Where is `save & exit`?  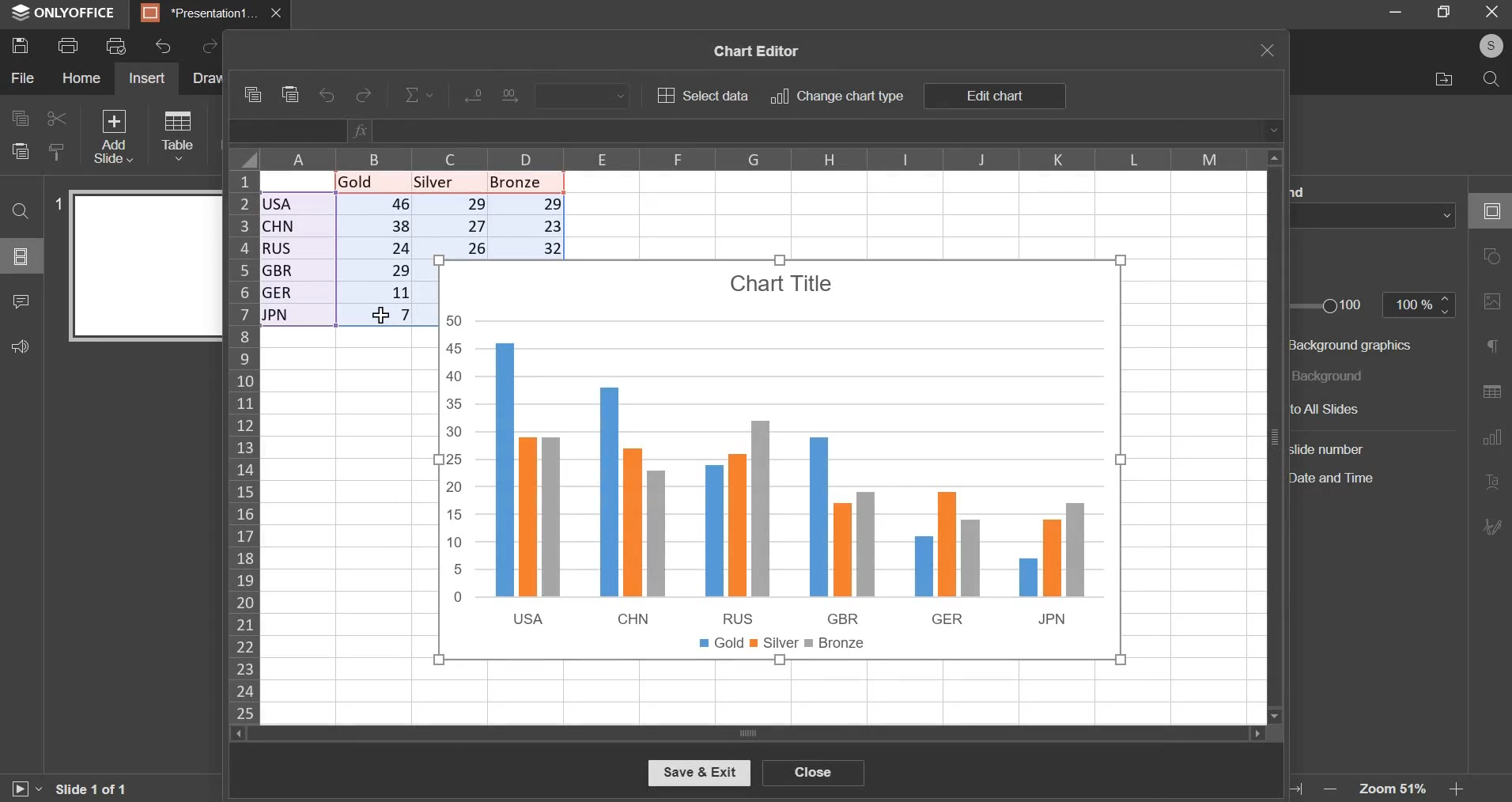
save & exit is located at coordinates (698, 772).